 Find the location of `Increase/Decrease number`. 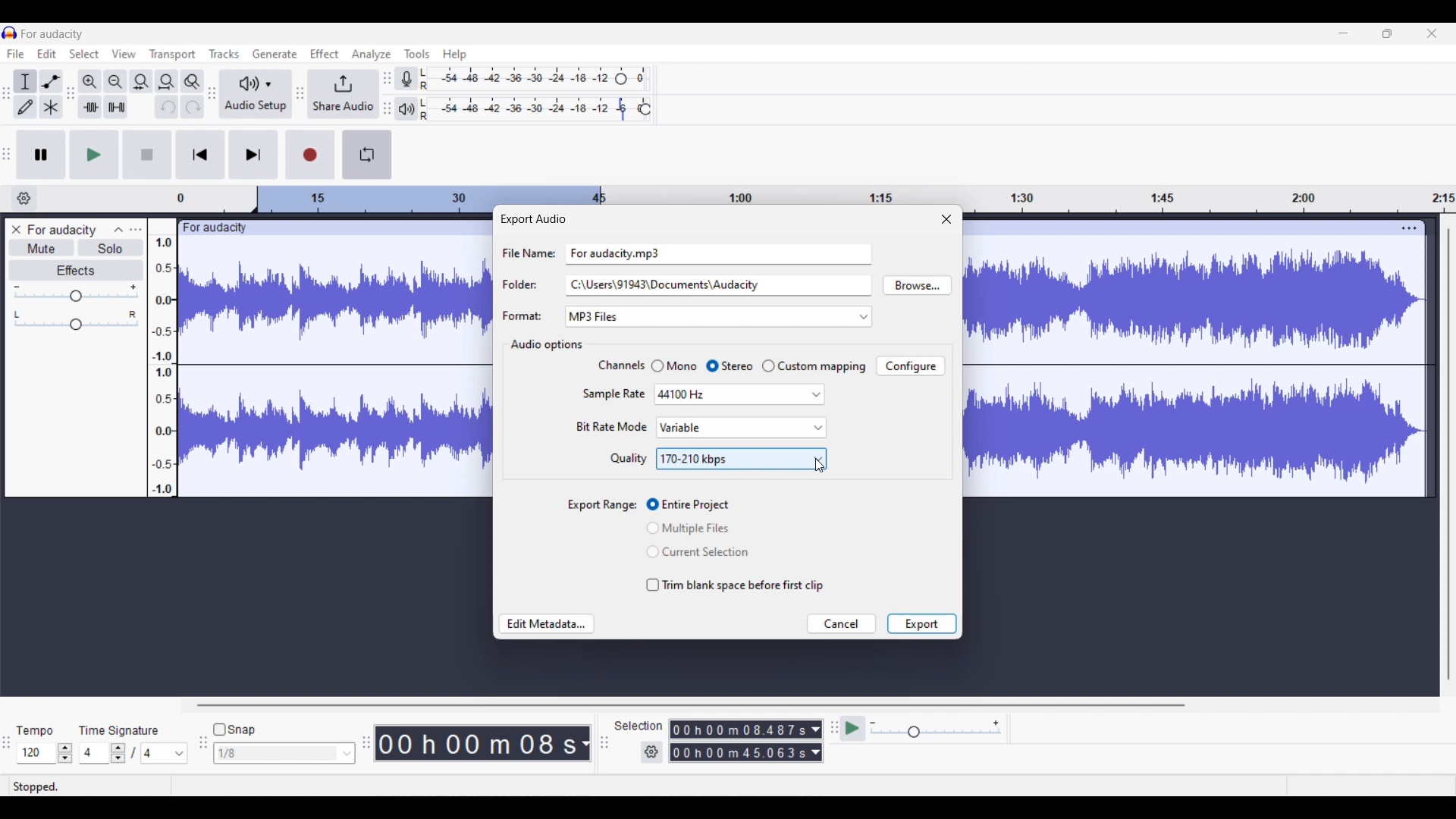

Increase/Decrease number is located at coordinates (118, 753).